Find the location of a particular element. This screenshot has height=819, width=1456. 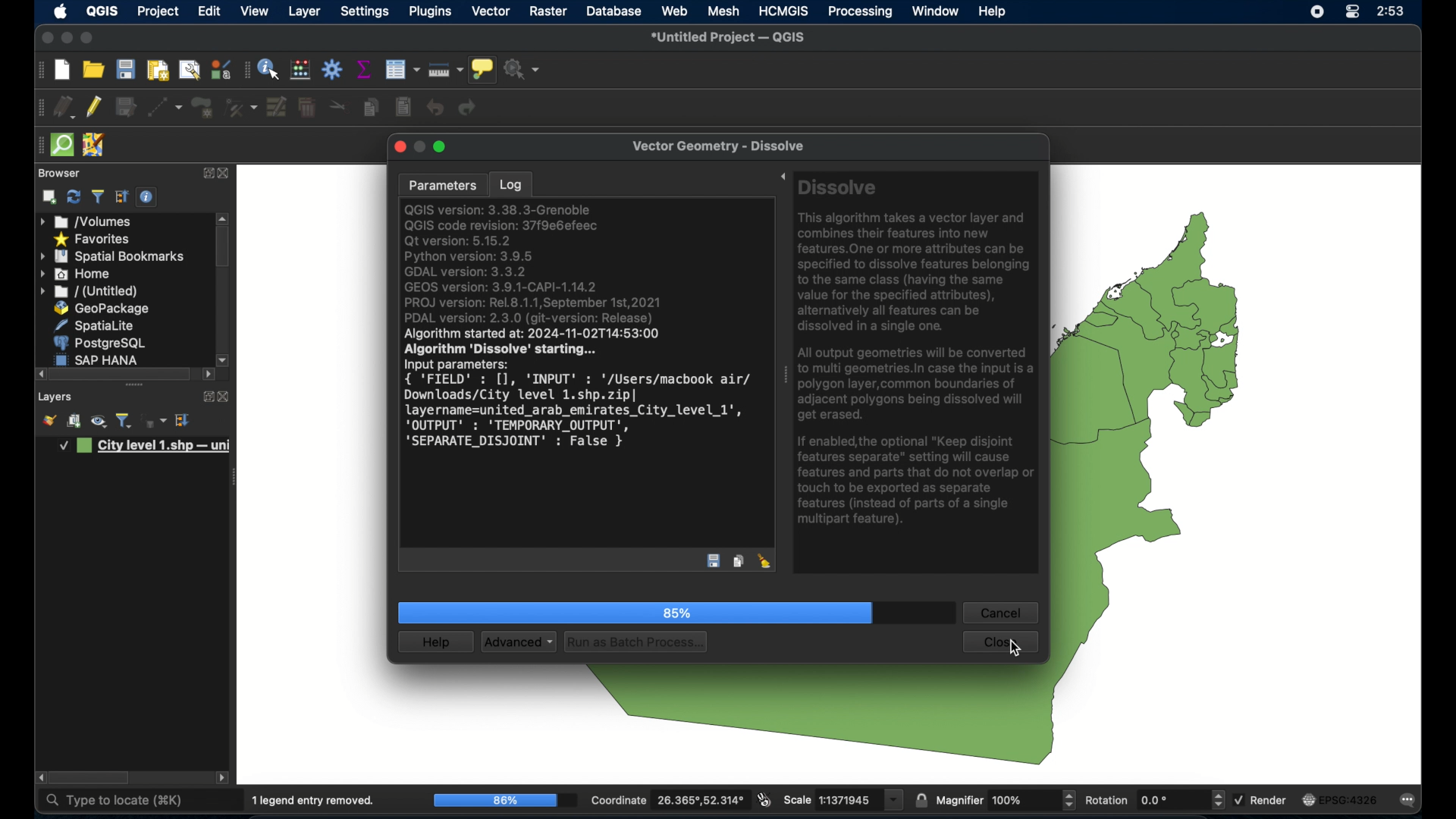

settings is located at coordinates (366, 12).